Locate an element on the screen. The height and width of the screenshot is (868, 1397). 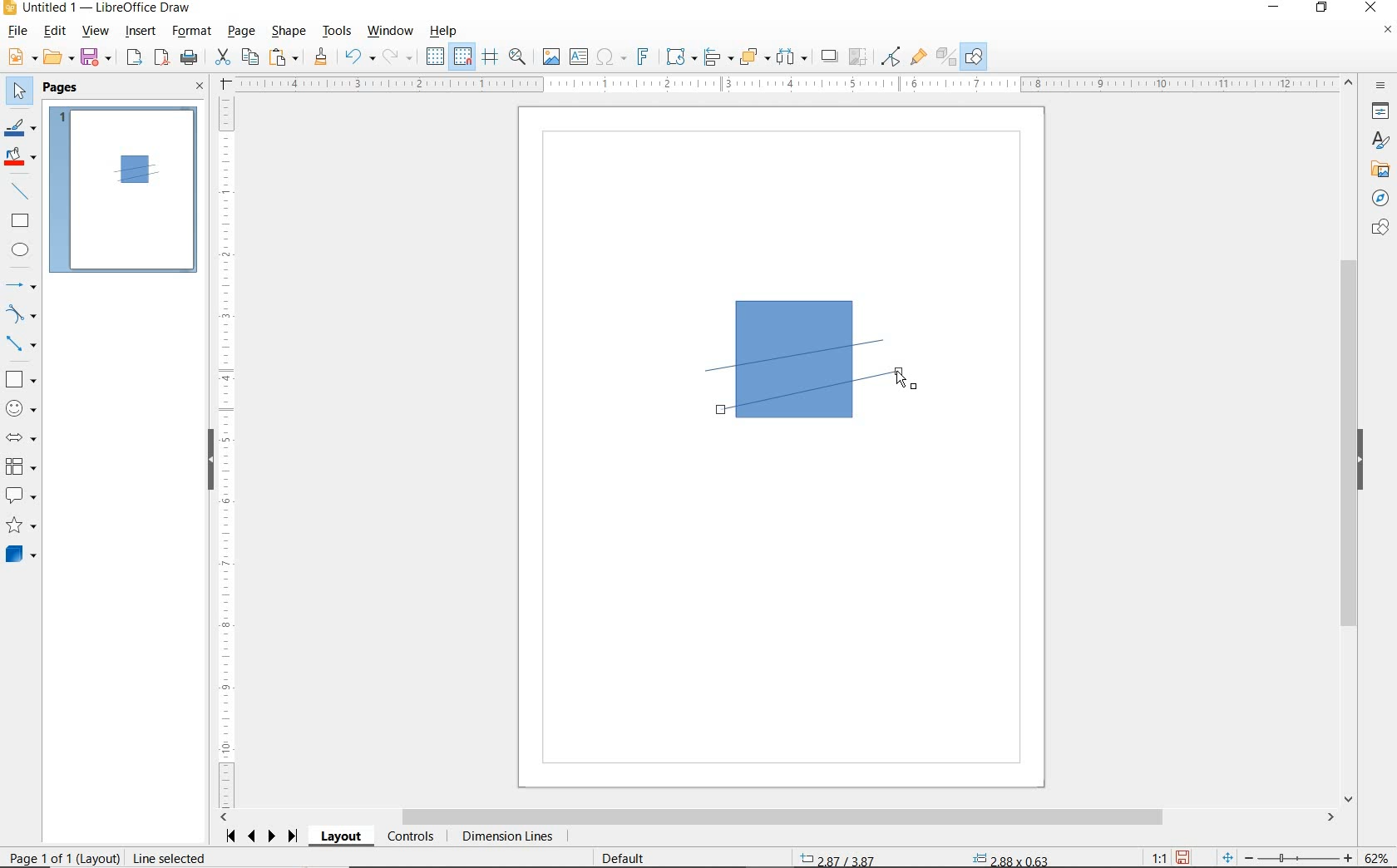
COPY is located at coordinates (249, 57).